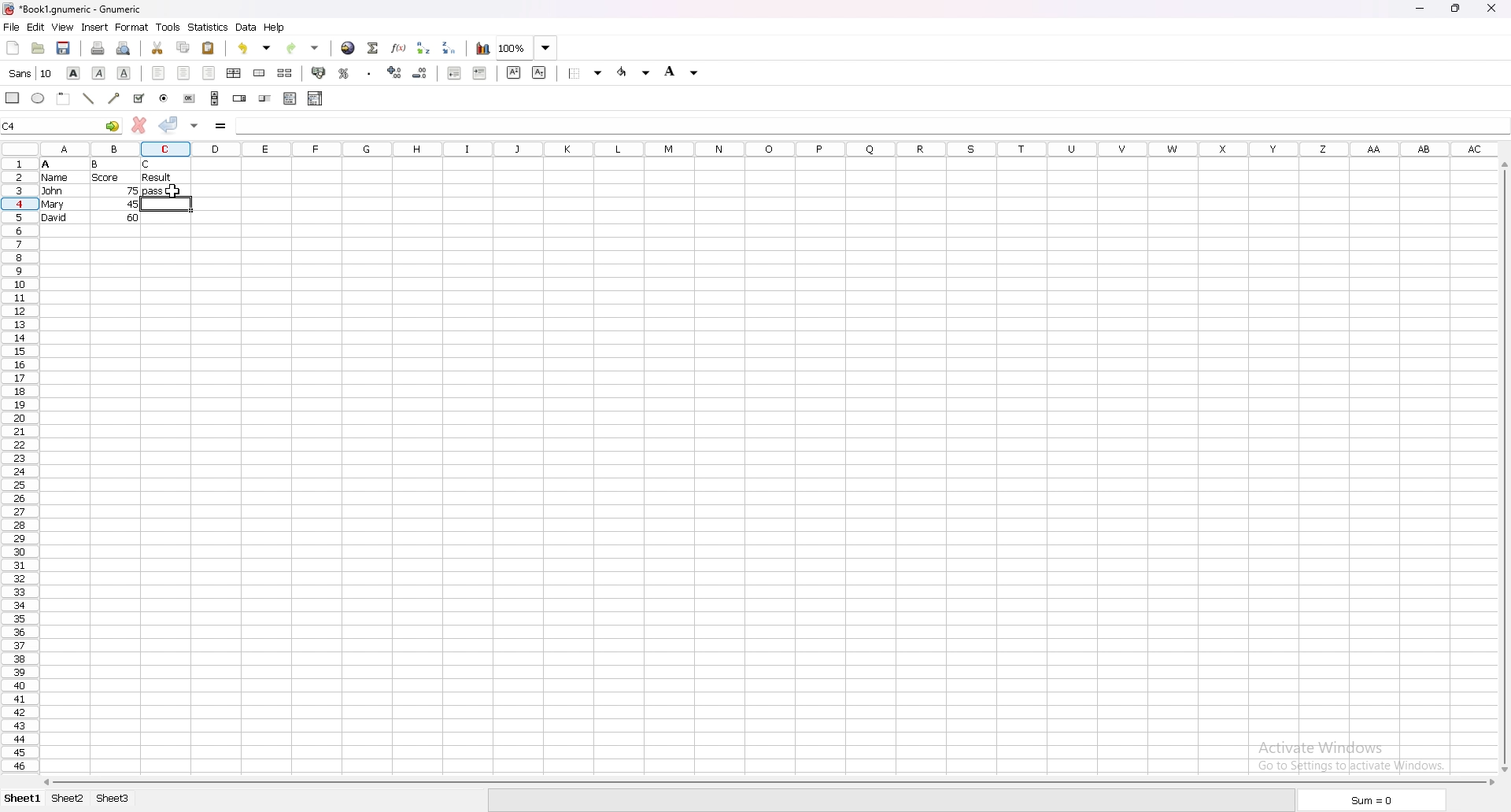 Image resolution: width=1511 pixels, height=812 pixels. Describe the element at coordinates (134, 190) in the screenshot. I see `75` at that location.